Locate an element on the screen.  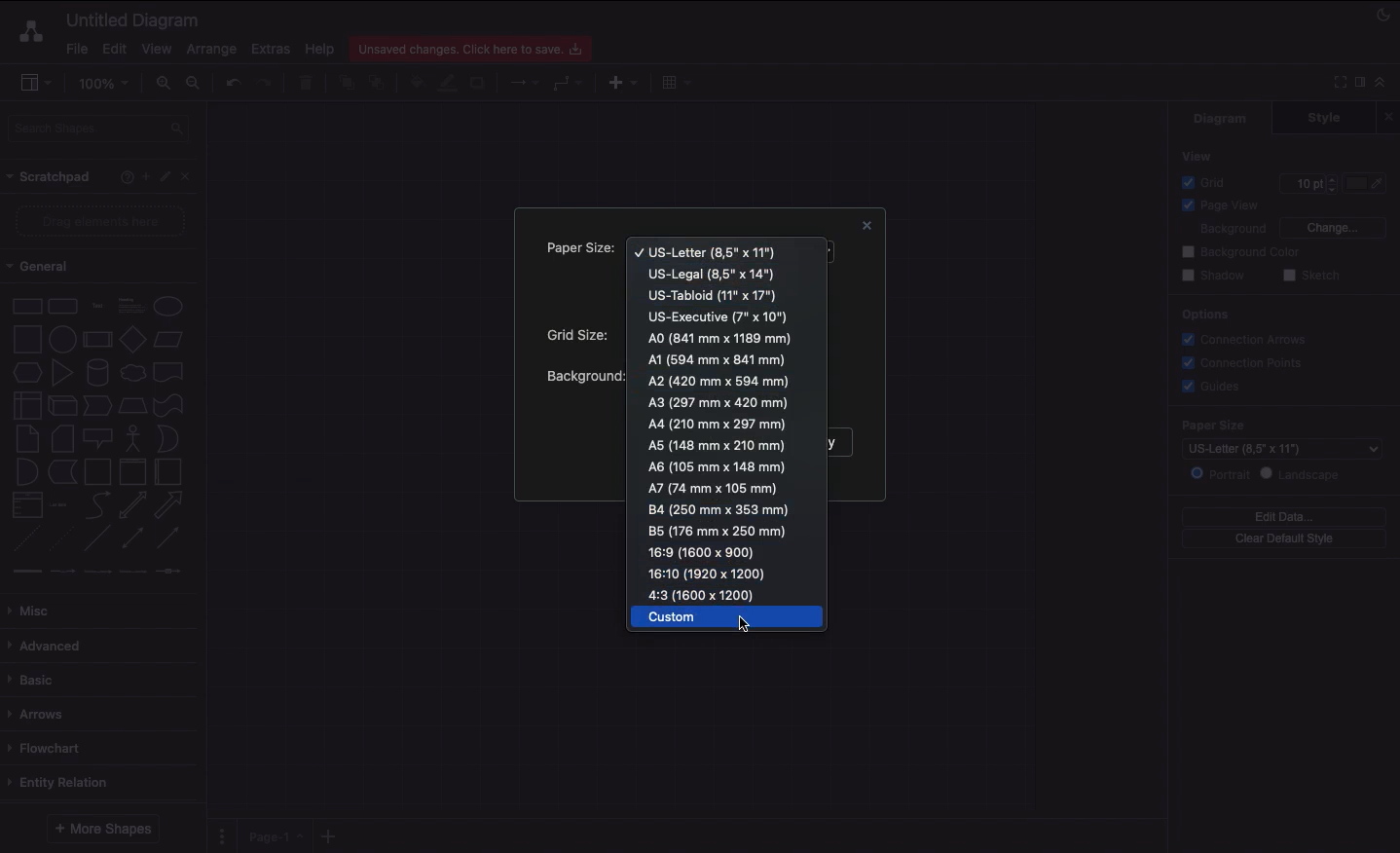
Color is located at coordinates (1367, 183).